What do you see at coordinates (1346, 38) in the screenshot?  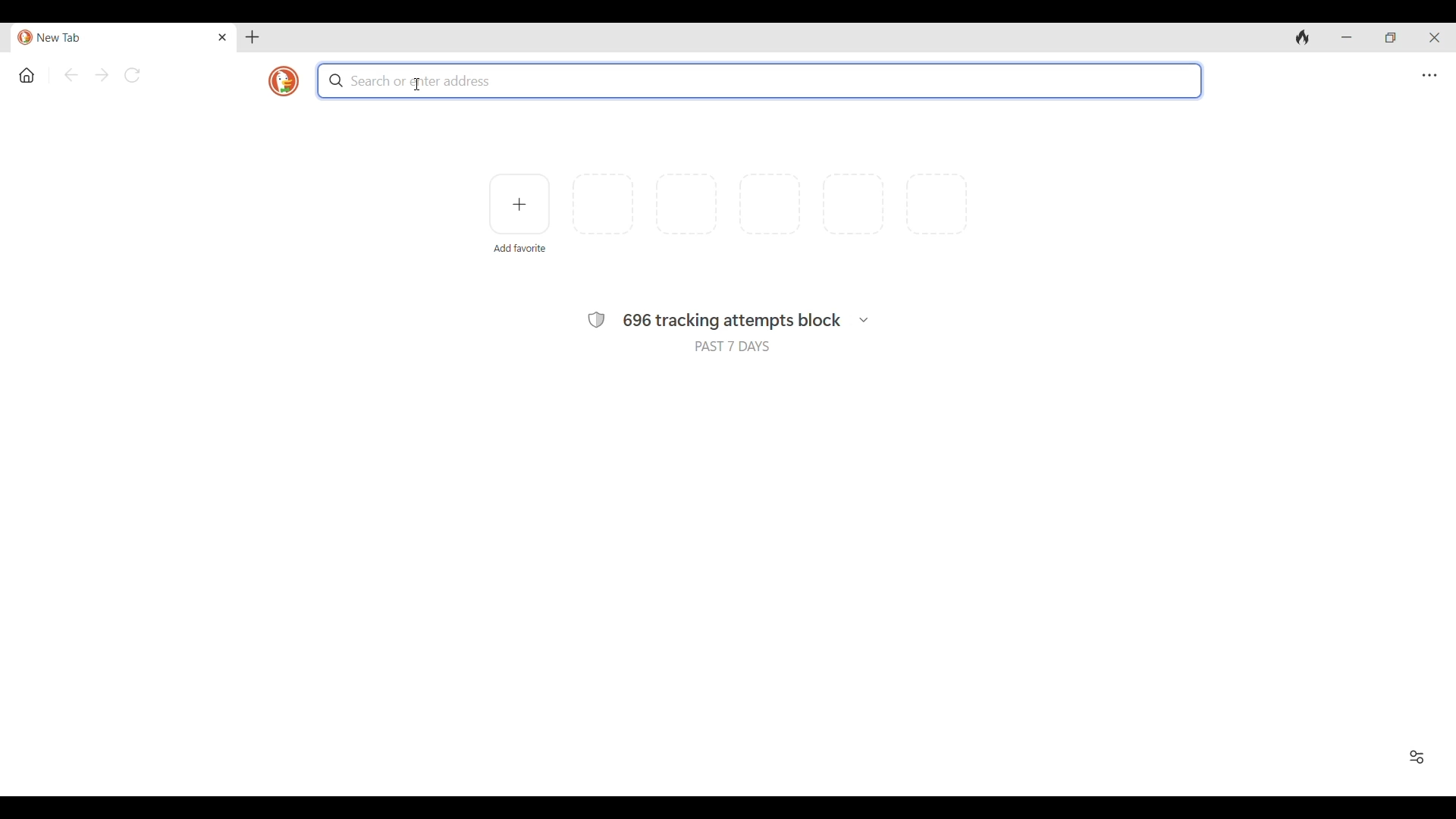 I see `Minimize` at bounding box center [1346, 38].